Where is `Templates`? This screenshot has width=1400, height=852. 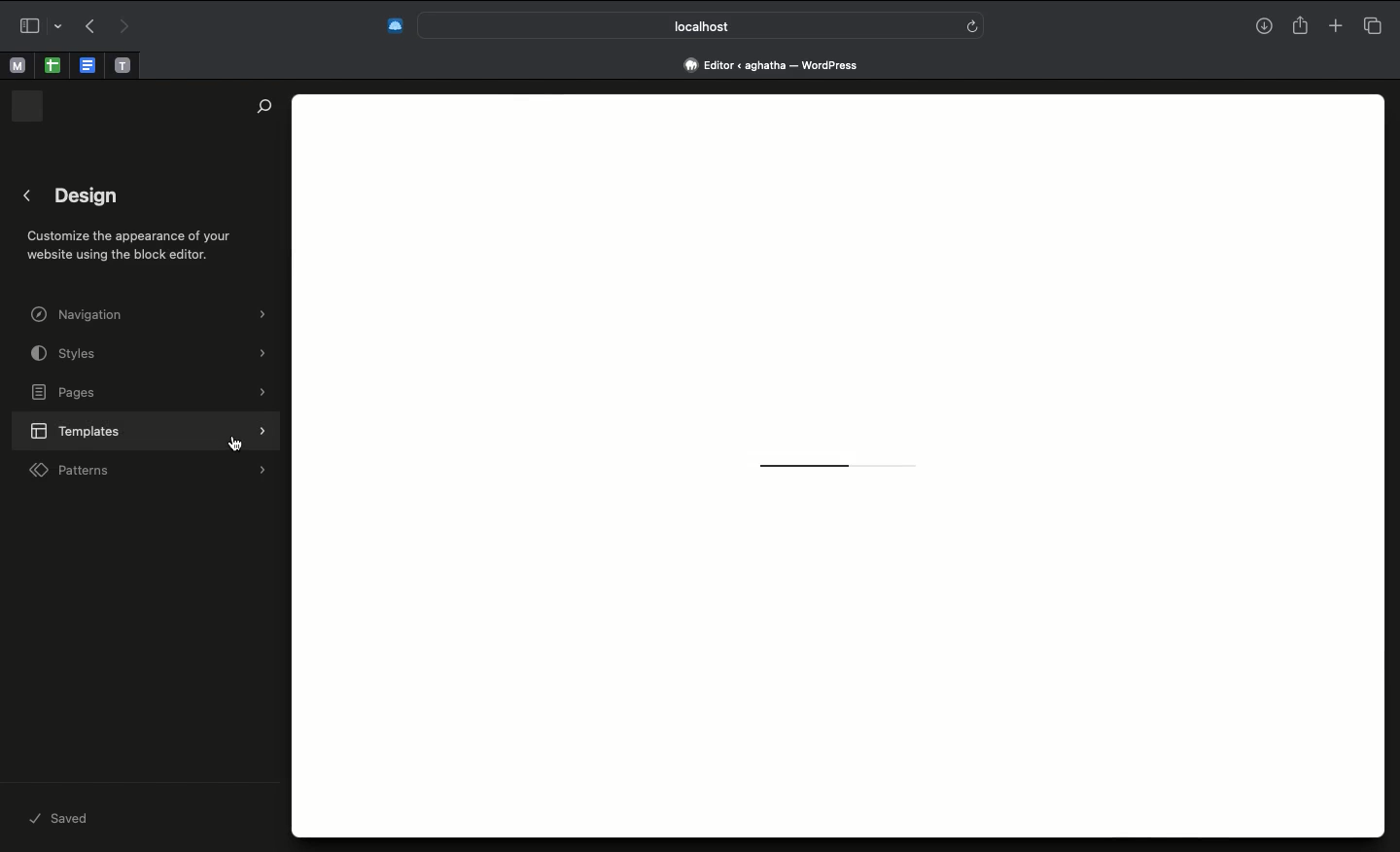 Templates is located at coordinates (148, 430).